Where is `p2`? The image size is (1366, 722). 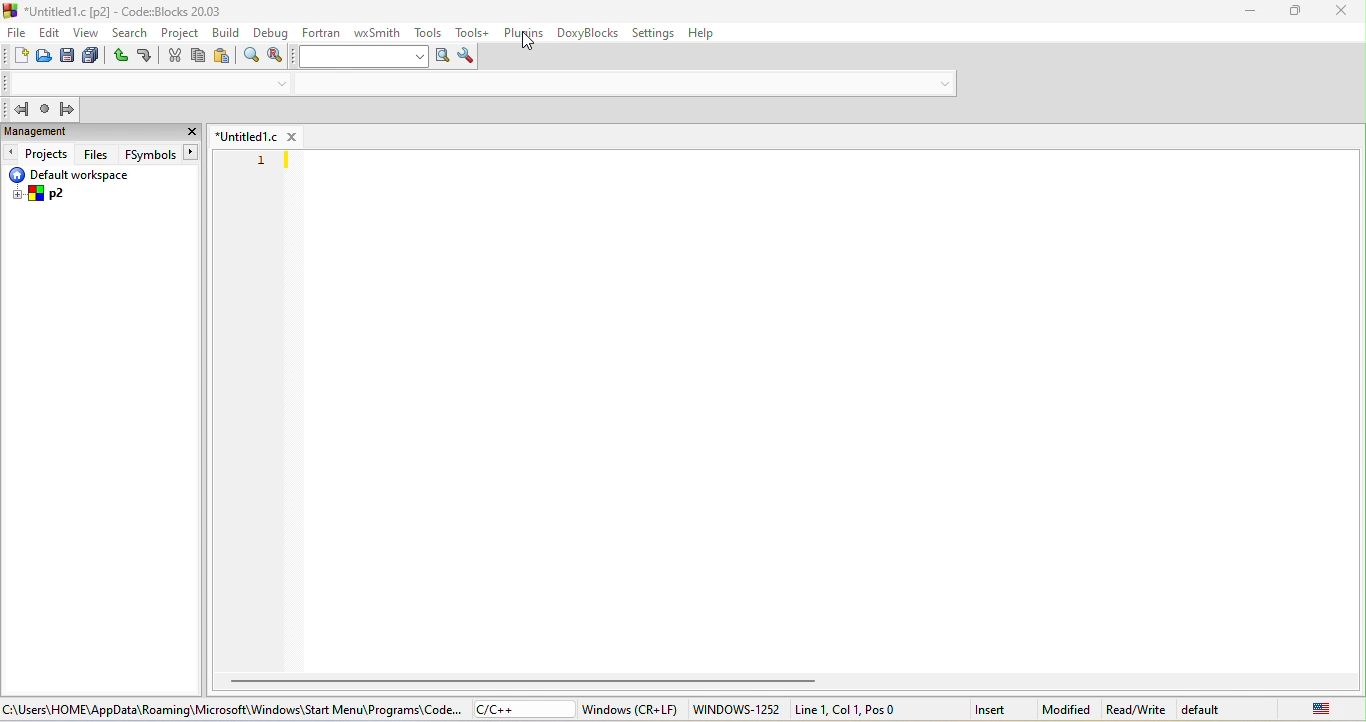
p2 is located at coordinates (41, 195).